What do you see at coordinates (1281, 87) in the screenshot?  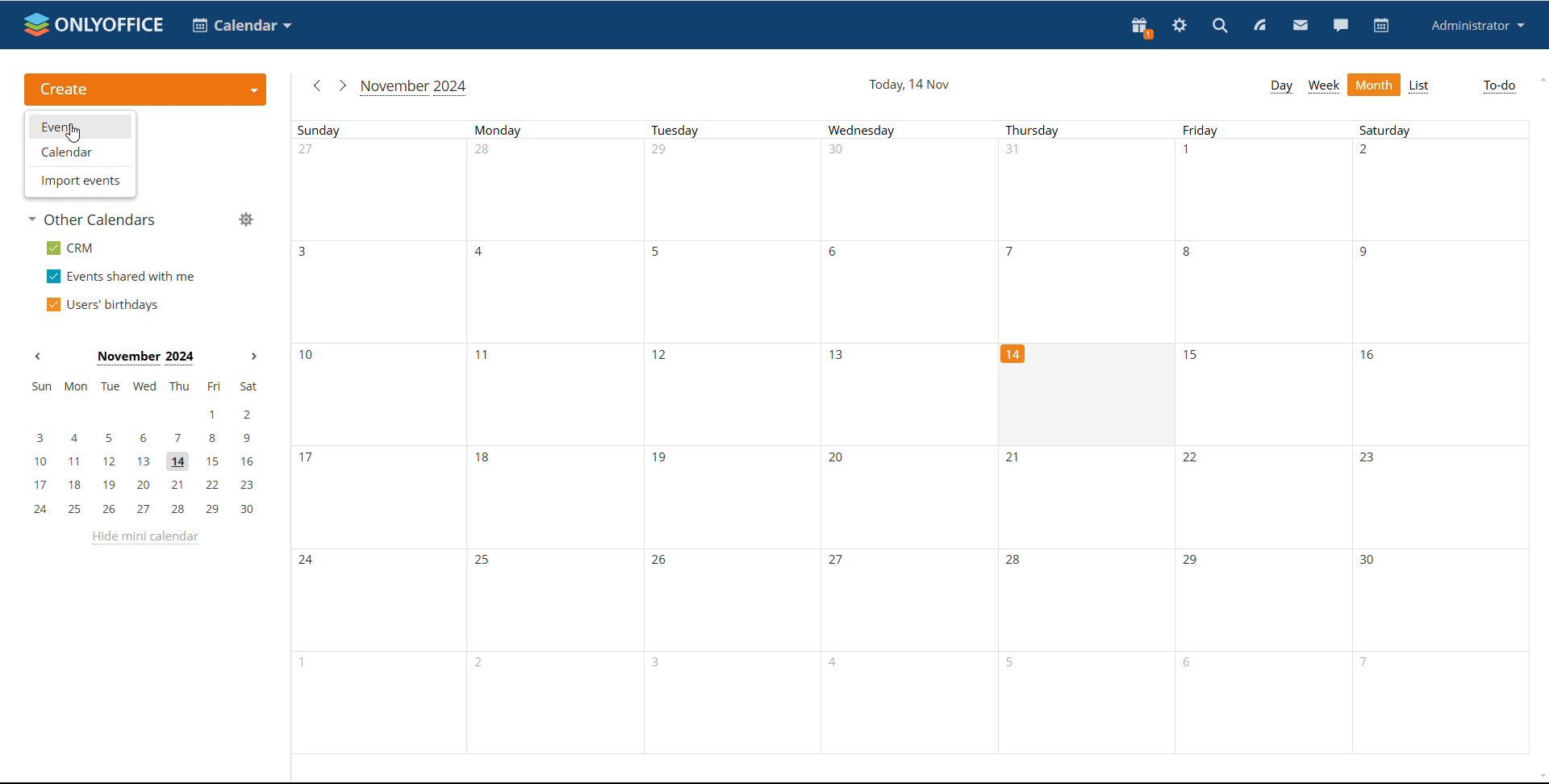 I see `day view` at bounding box center [1281, 87].